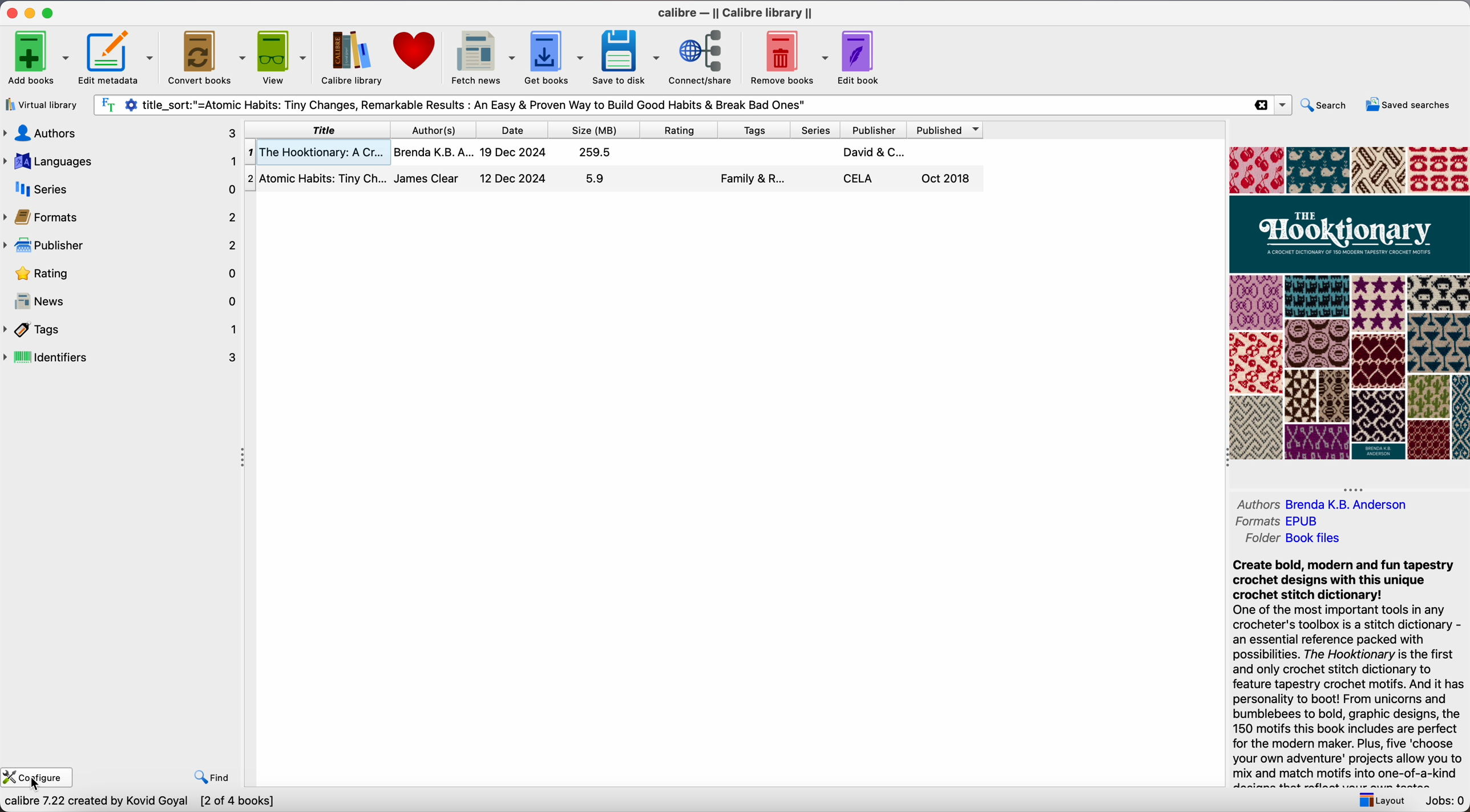  Describe the element at coordinates (122, 356) in the screenshot. I see `identifiers` at that location.